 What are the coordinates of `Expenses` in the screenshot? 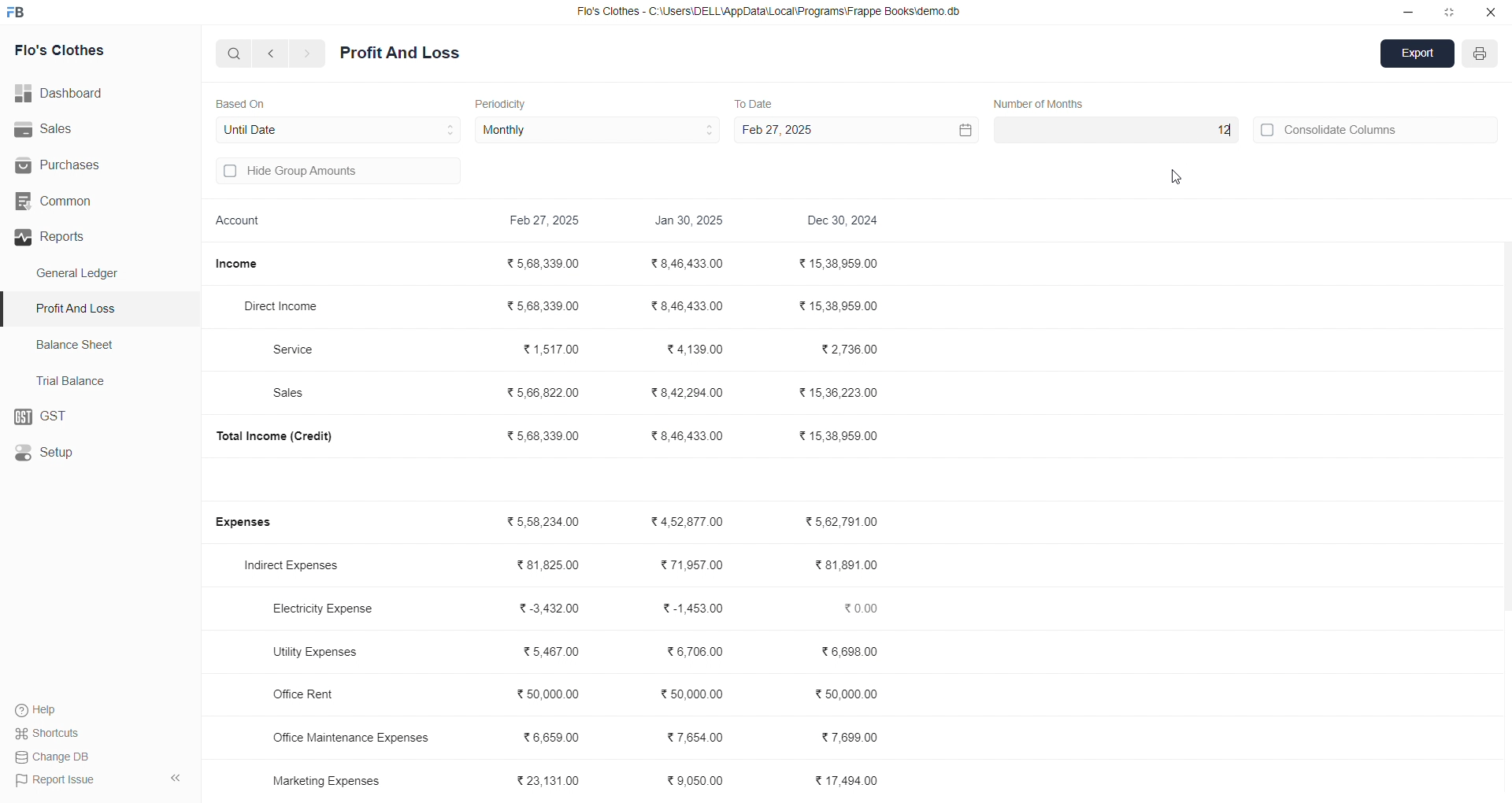 It's located at (254, 523).